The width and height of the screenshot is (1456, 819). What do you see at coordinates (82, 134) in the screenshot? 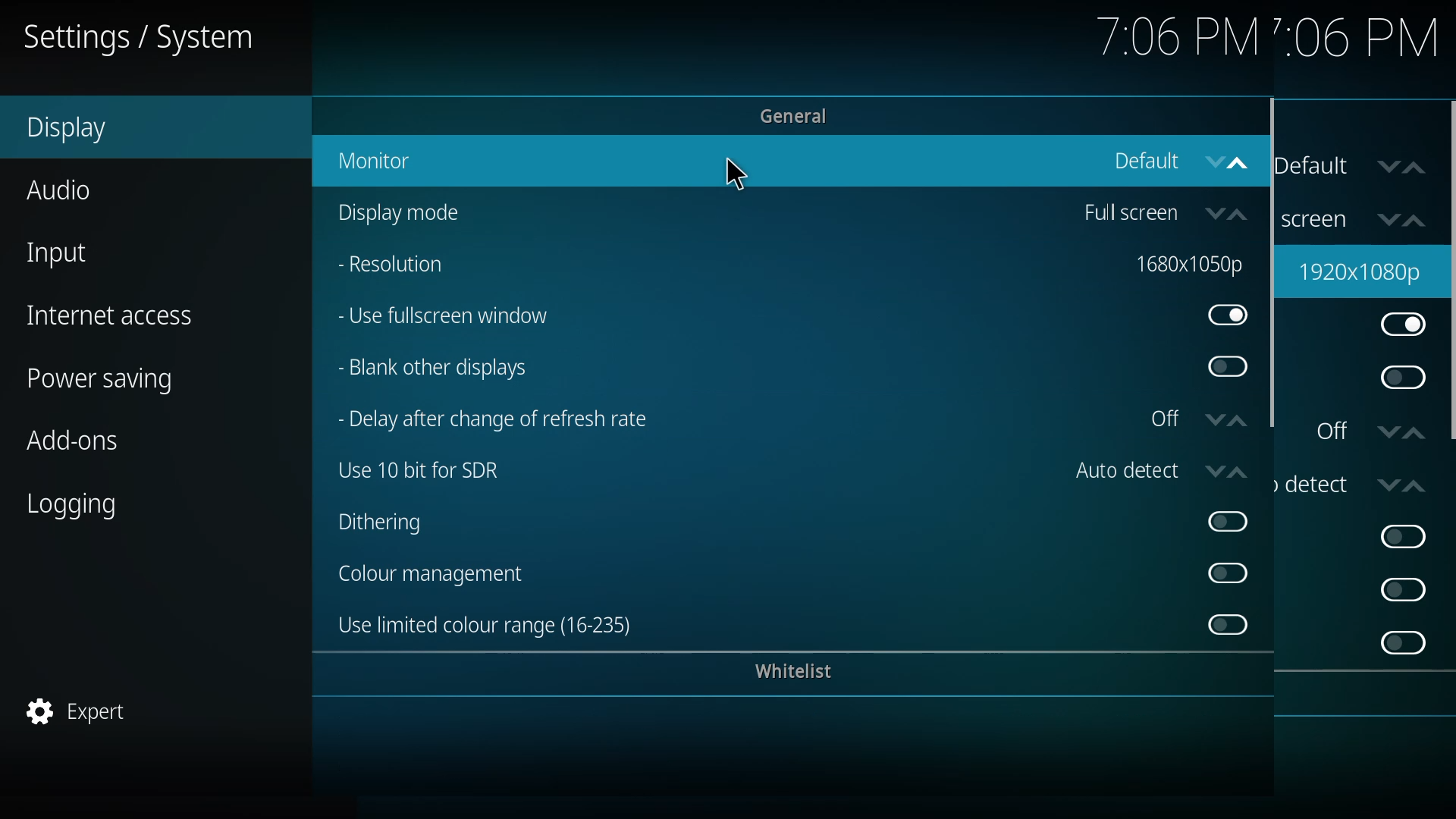
I see `display` at bounding box center [82, 134].